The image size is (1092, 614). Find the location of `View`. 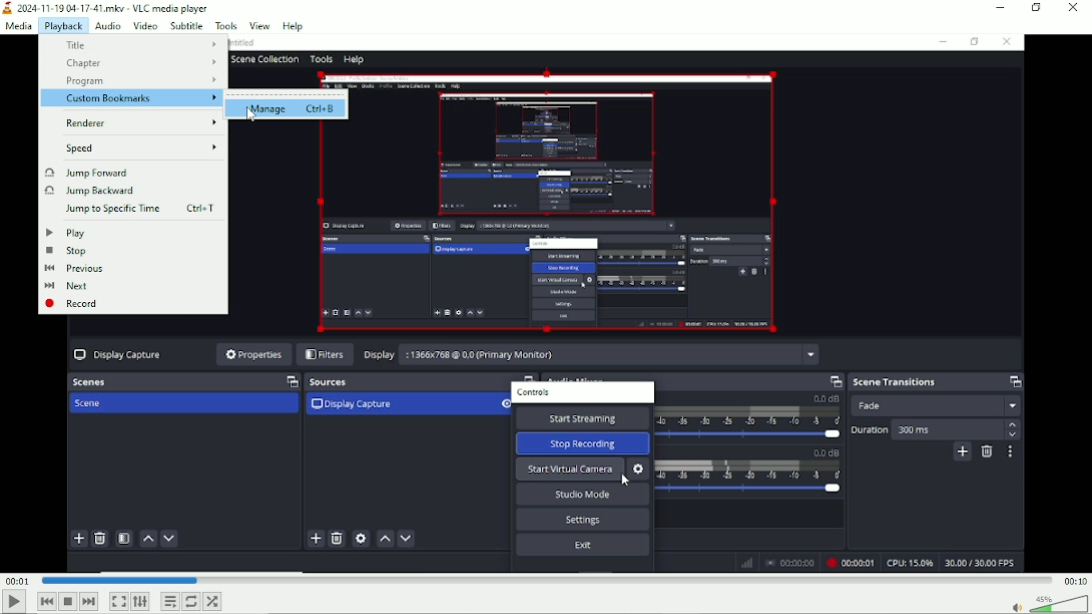

View is located at coordinates (258, 26).